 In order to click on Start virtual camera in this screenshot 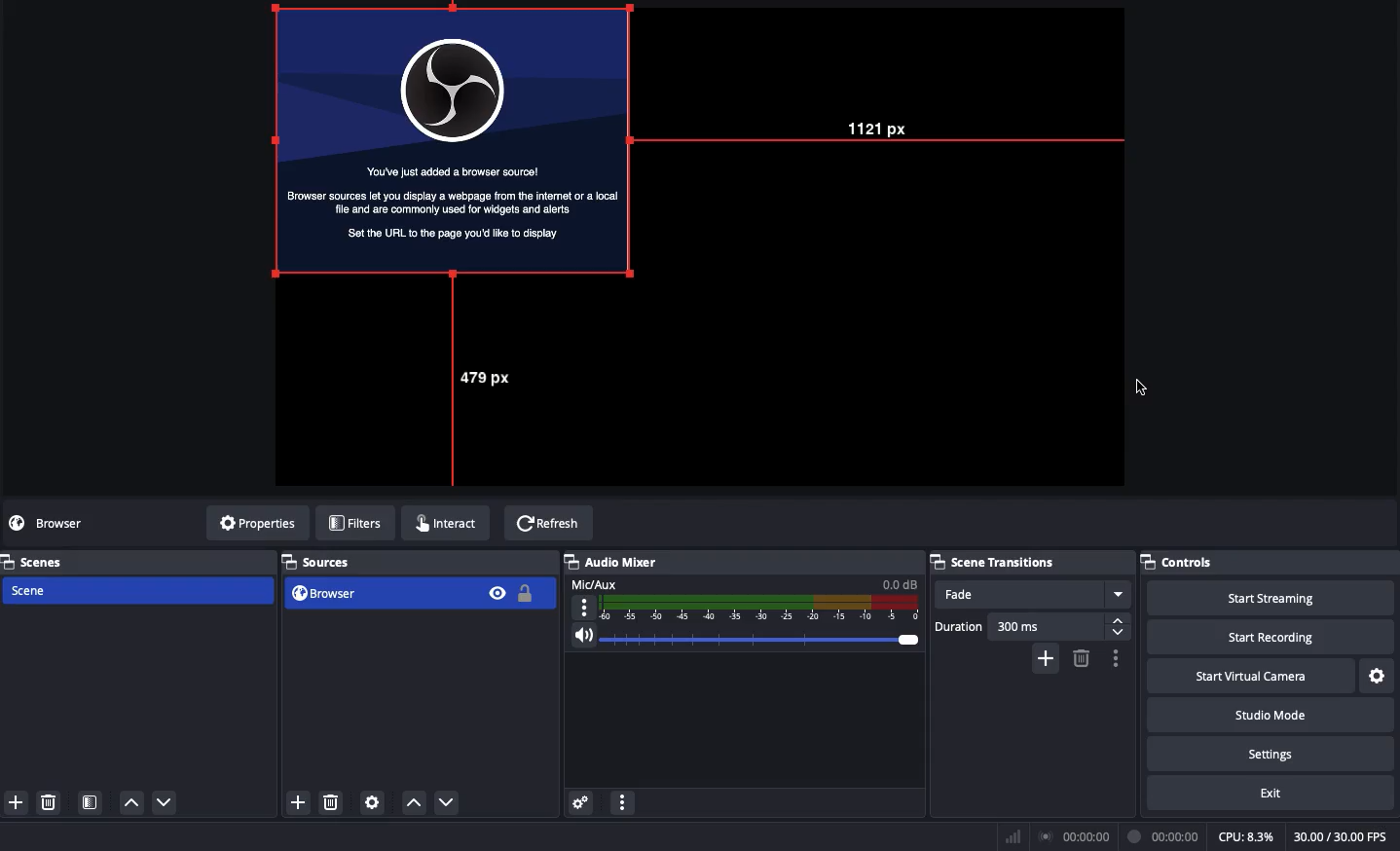, I will do `click(1254, 674)`.